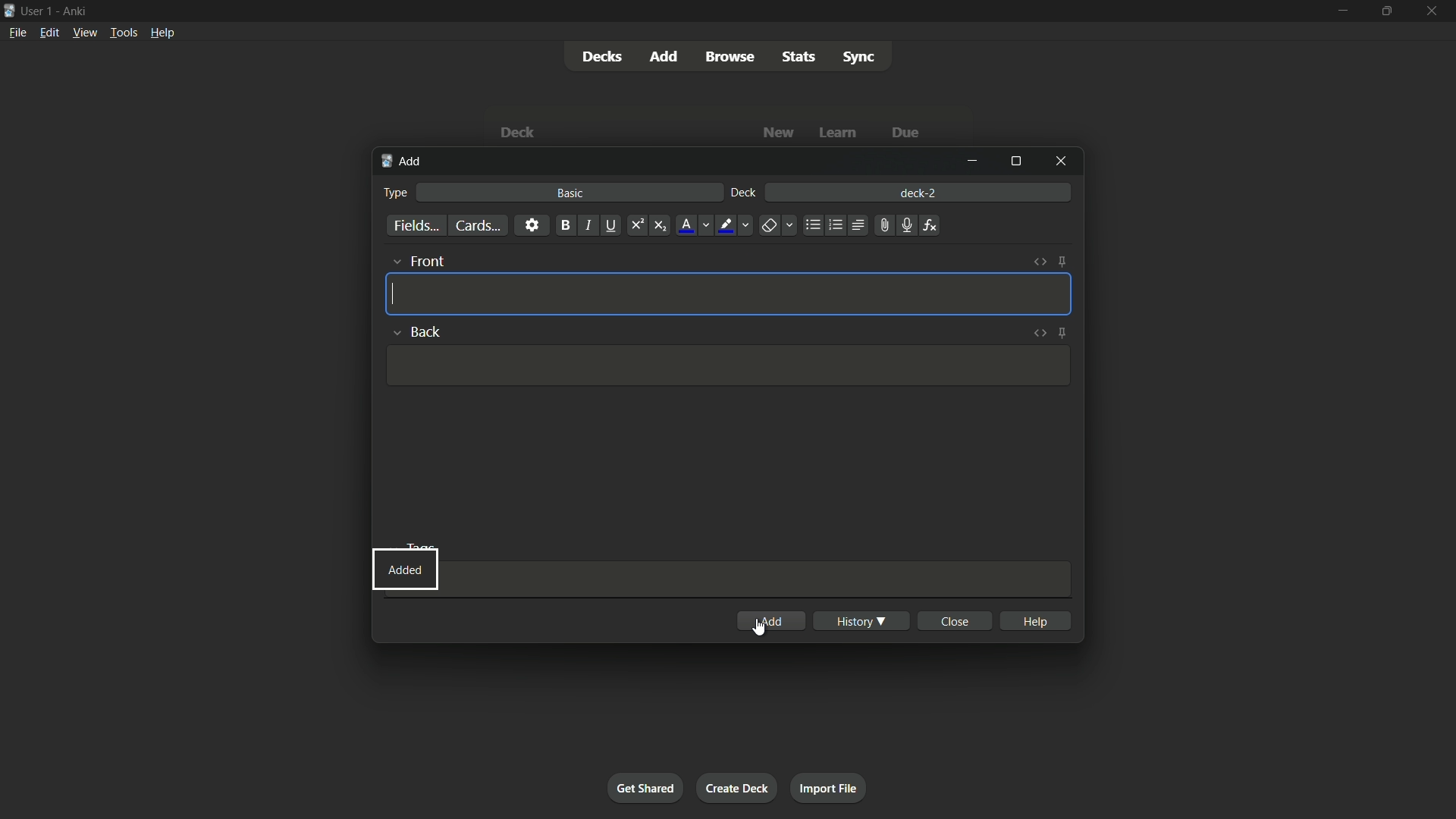  I want to click on close, so click(954, 621).